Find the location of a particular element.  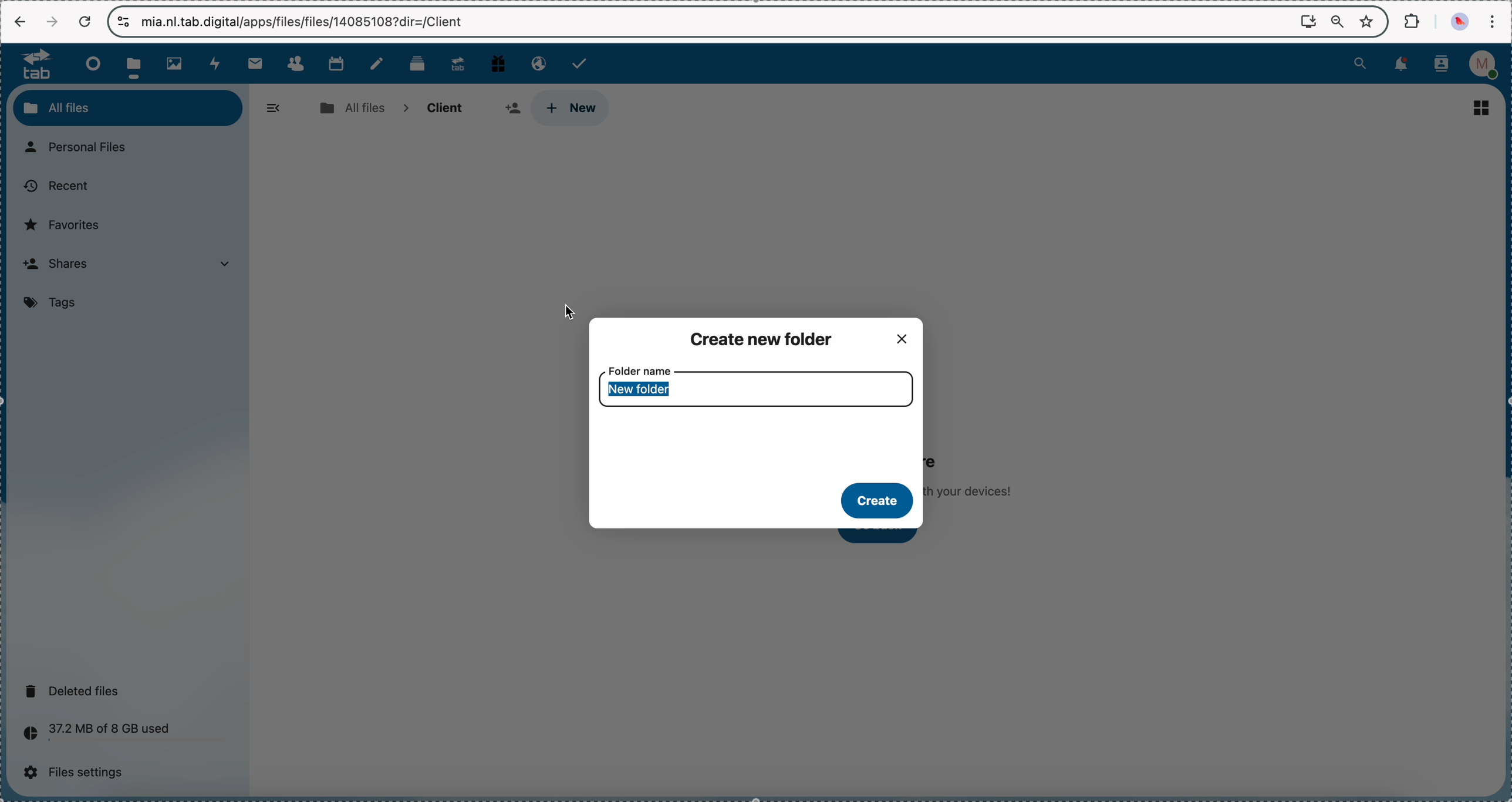

favorites is located at coordinates (66, 224).